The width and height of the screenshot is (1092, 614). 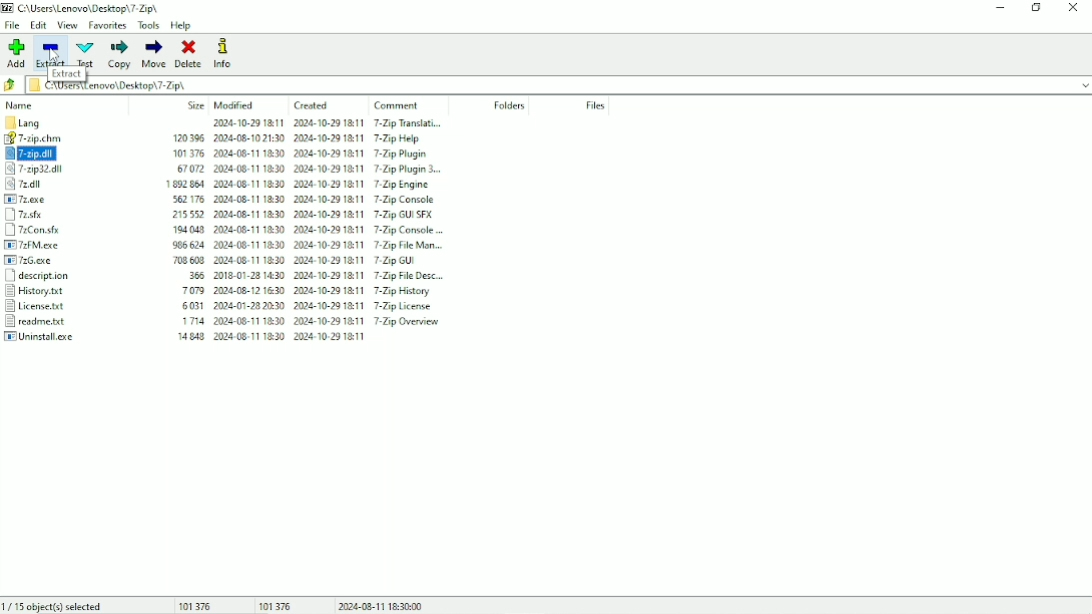 I want to click on Files, so click(x=596, y=105).